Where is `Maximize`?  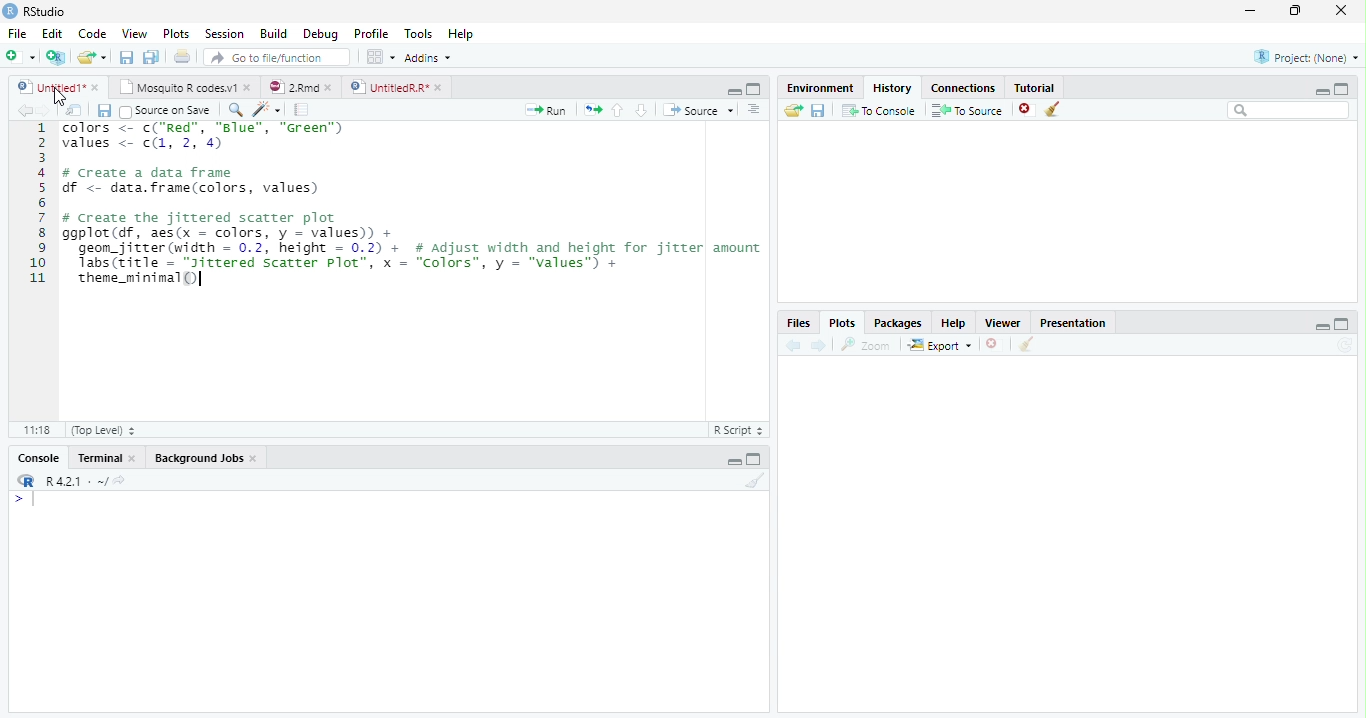 Maximize is located at coordinates (754, 458).